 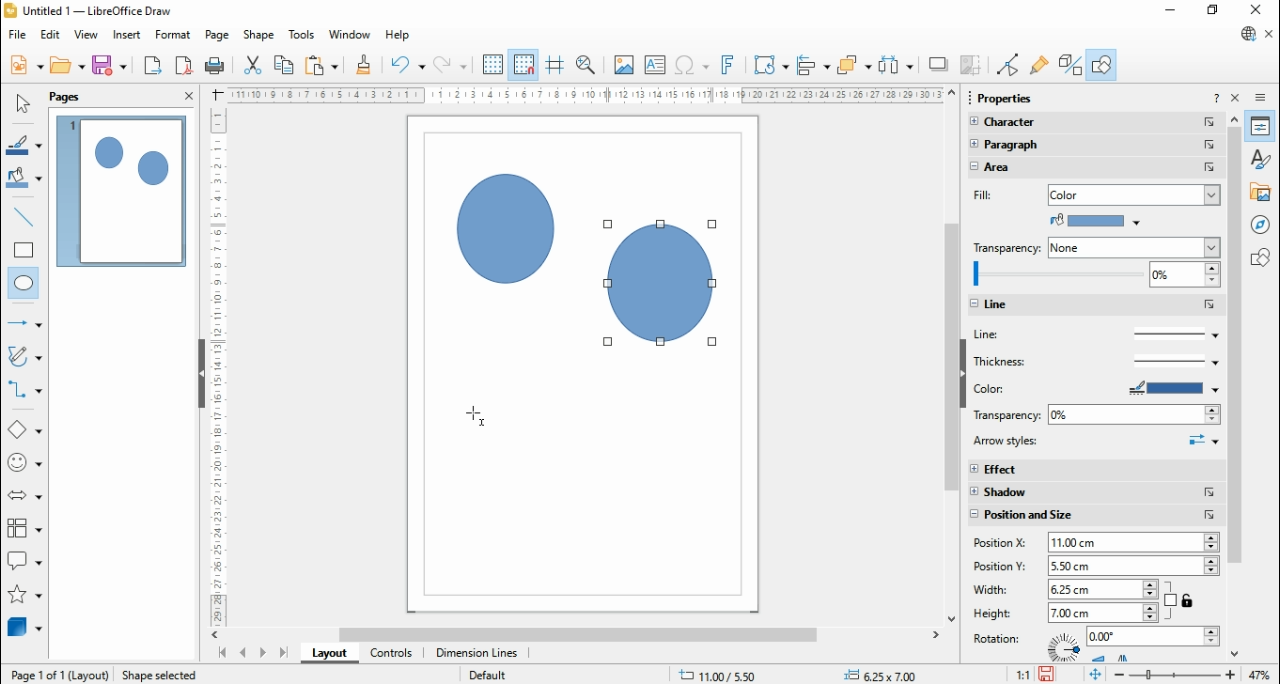 What do you see at coordinates (1172, 10) in the screenshot?
I see `minimize` at bounding box center [1172, 10].